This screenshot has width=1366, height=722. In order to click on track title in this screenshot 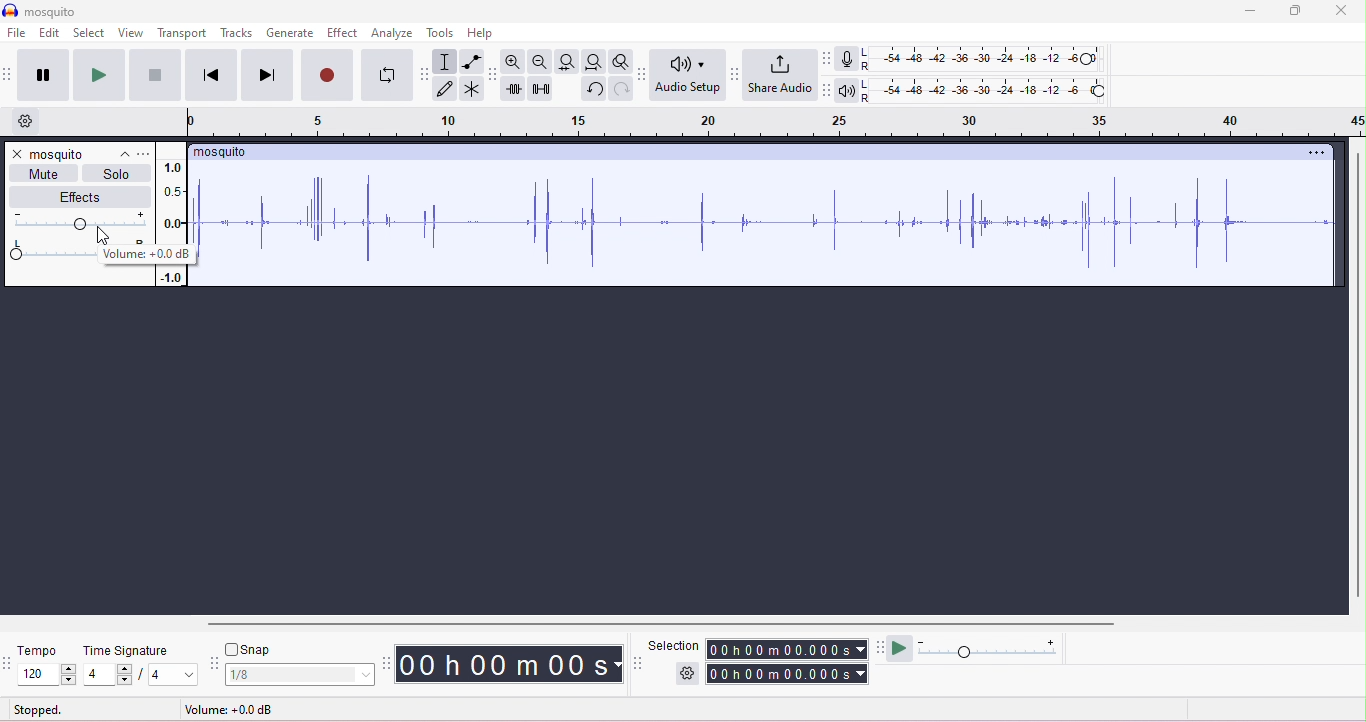, I will do `click(81, 156)`.